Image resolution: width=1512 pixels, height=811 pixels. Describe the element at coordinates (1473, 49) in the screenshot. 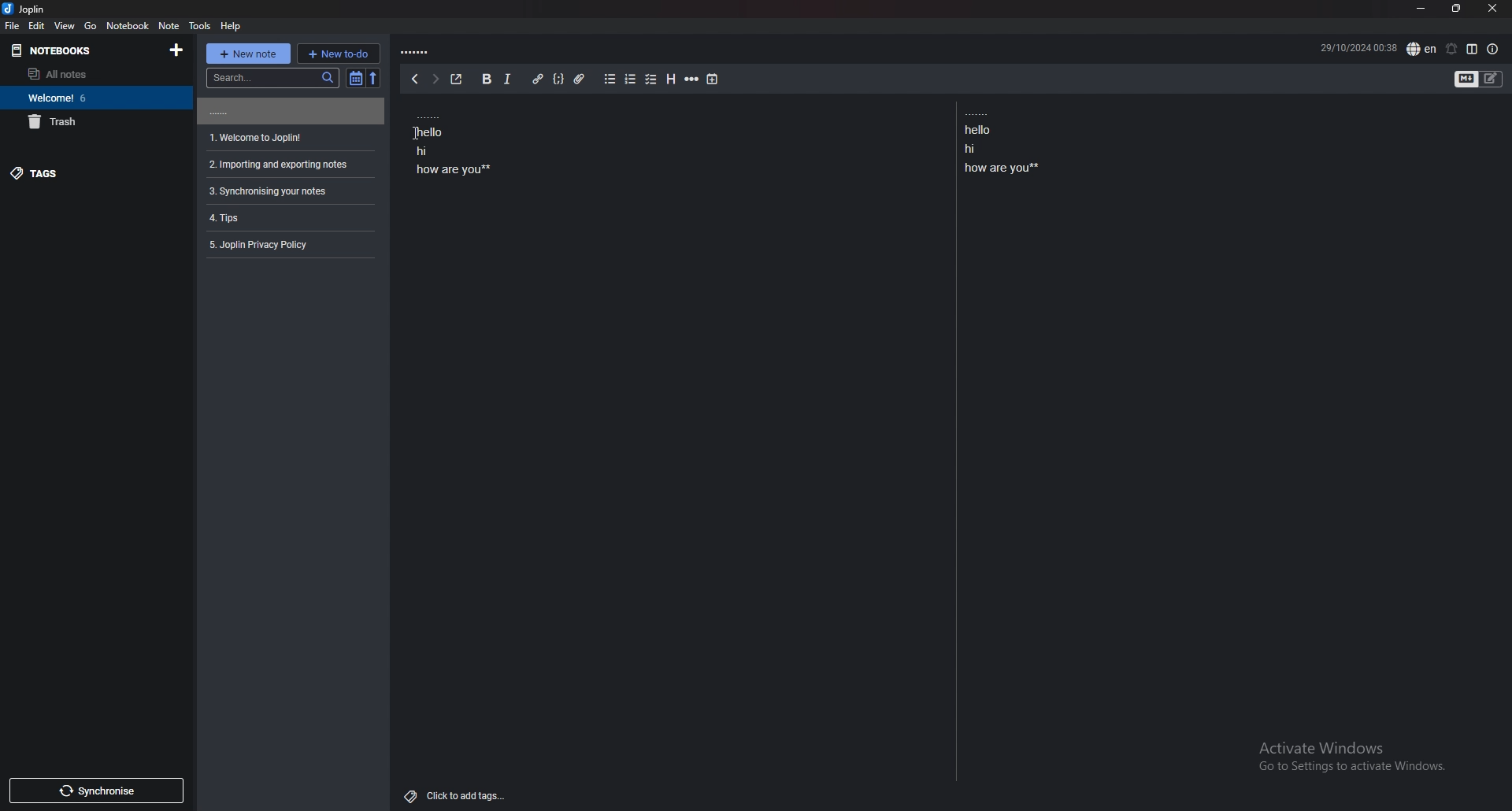

I see `toggle editor layout` at that location.